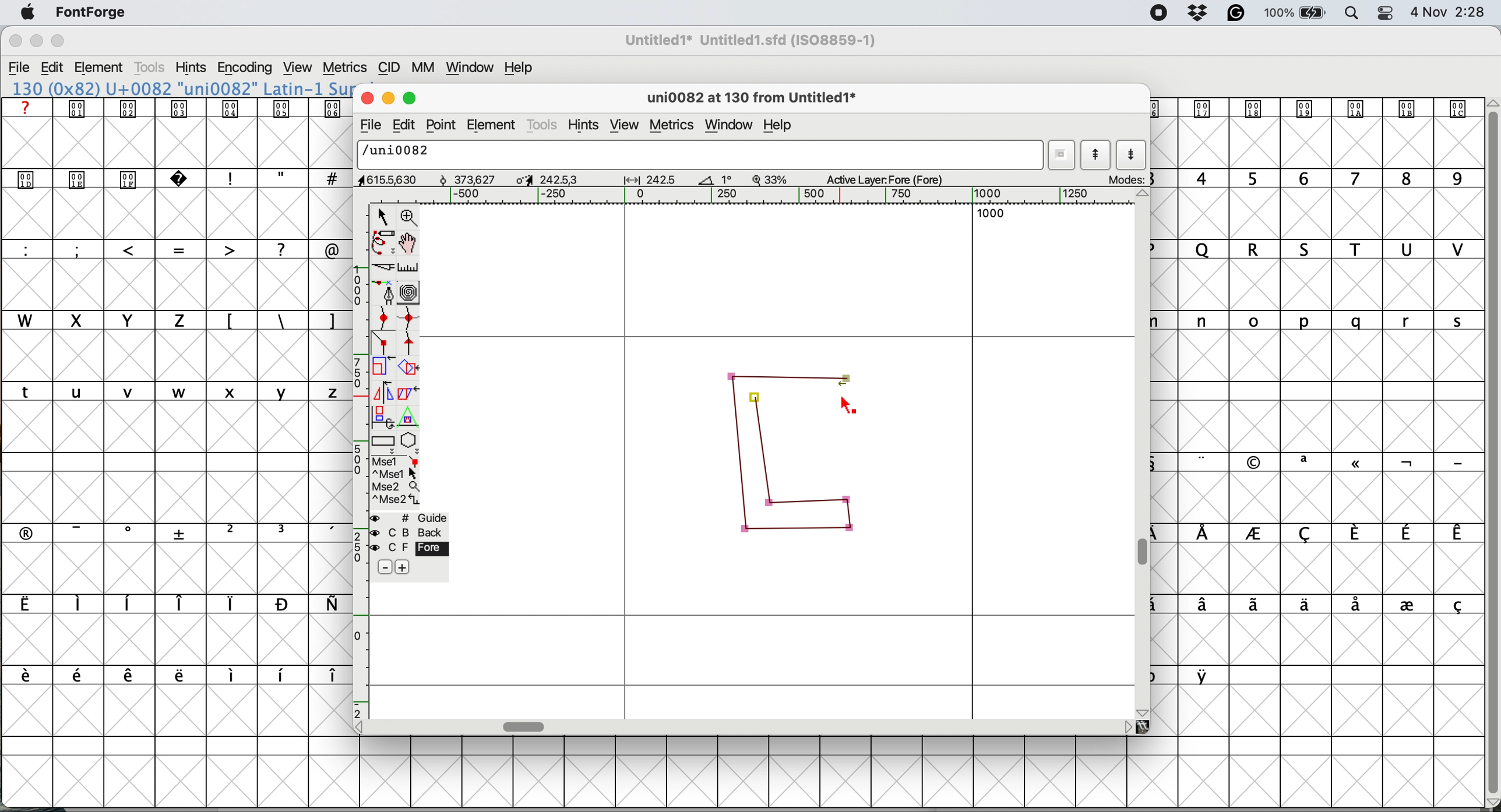  Describe the element at coordinates (409, 318) in the screenshot. I see `add a curve point horizontal or vertical` at that location.